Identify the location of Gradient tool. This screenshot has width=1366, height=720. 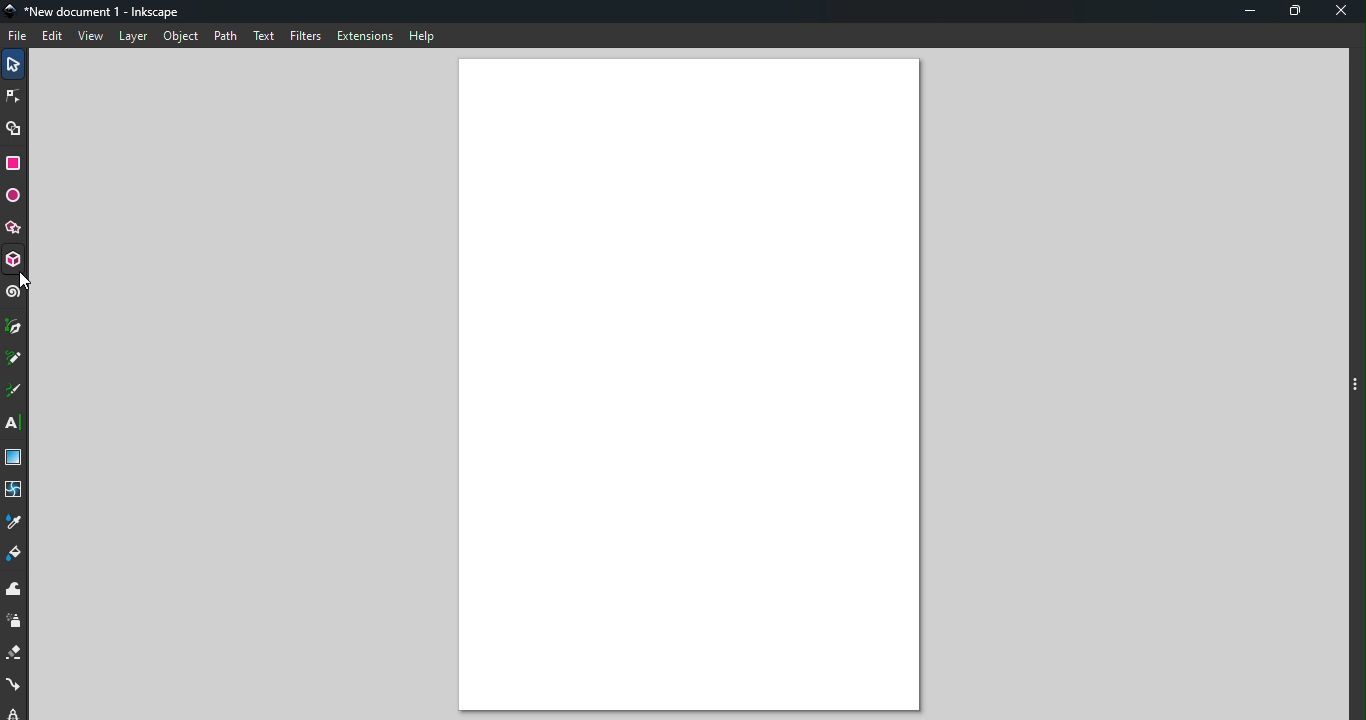
(15, 455).